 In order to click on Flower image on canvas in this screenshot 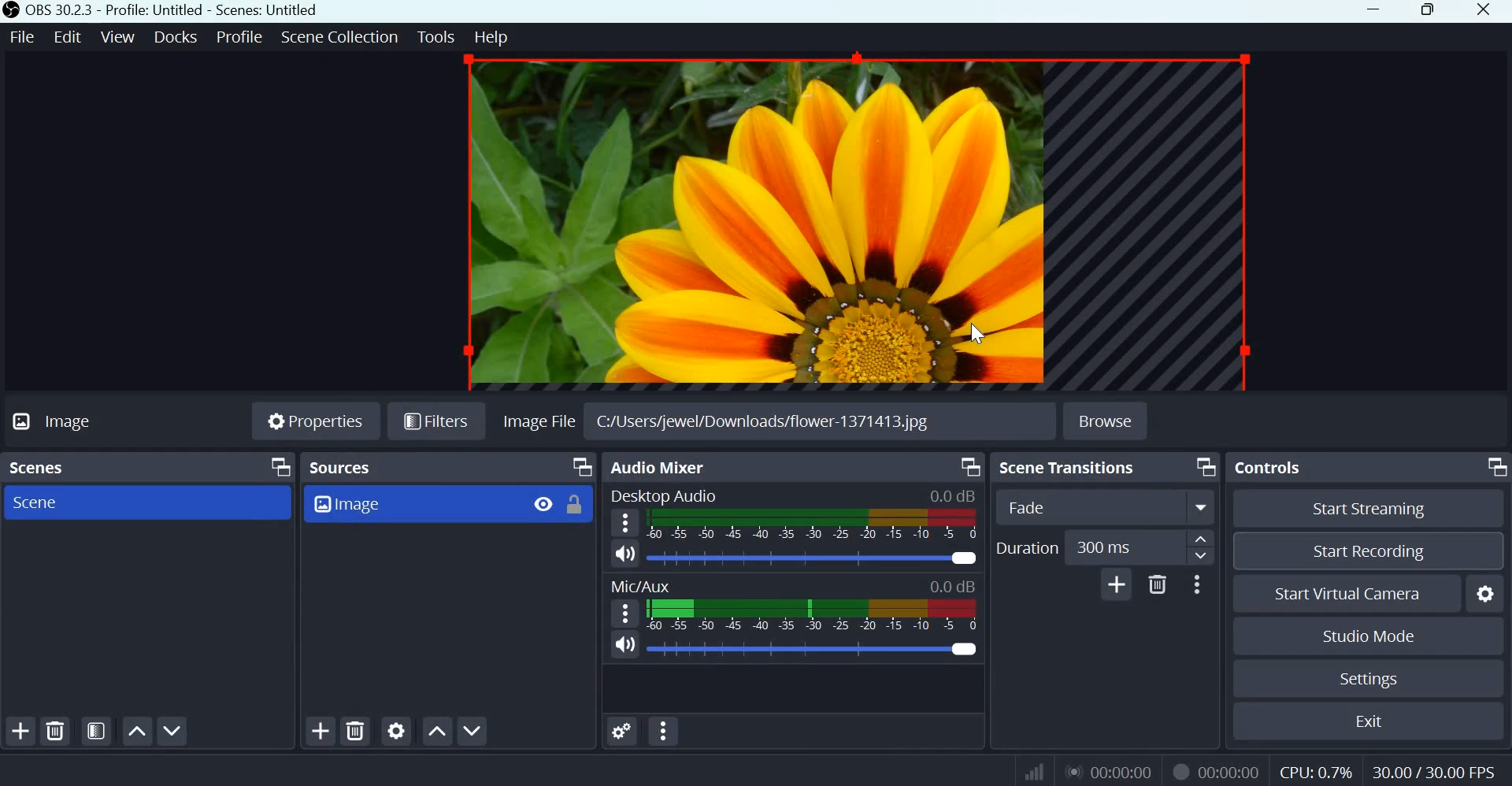, I will do `click(847, 222)`.